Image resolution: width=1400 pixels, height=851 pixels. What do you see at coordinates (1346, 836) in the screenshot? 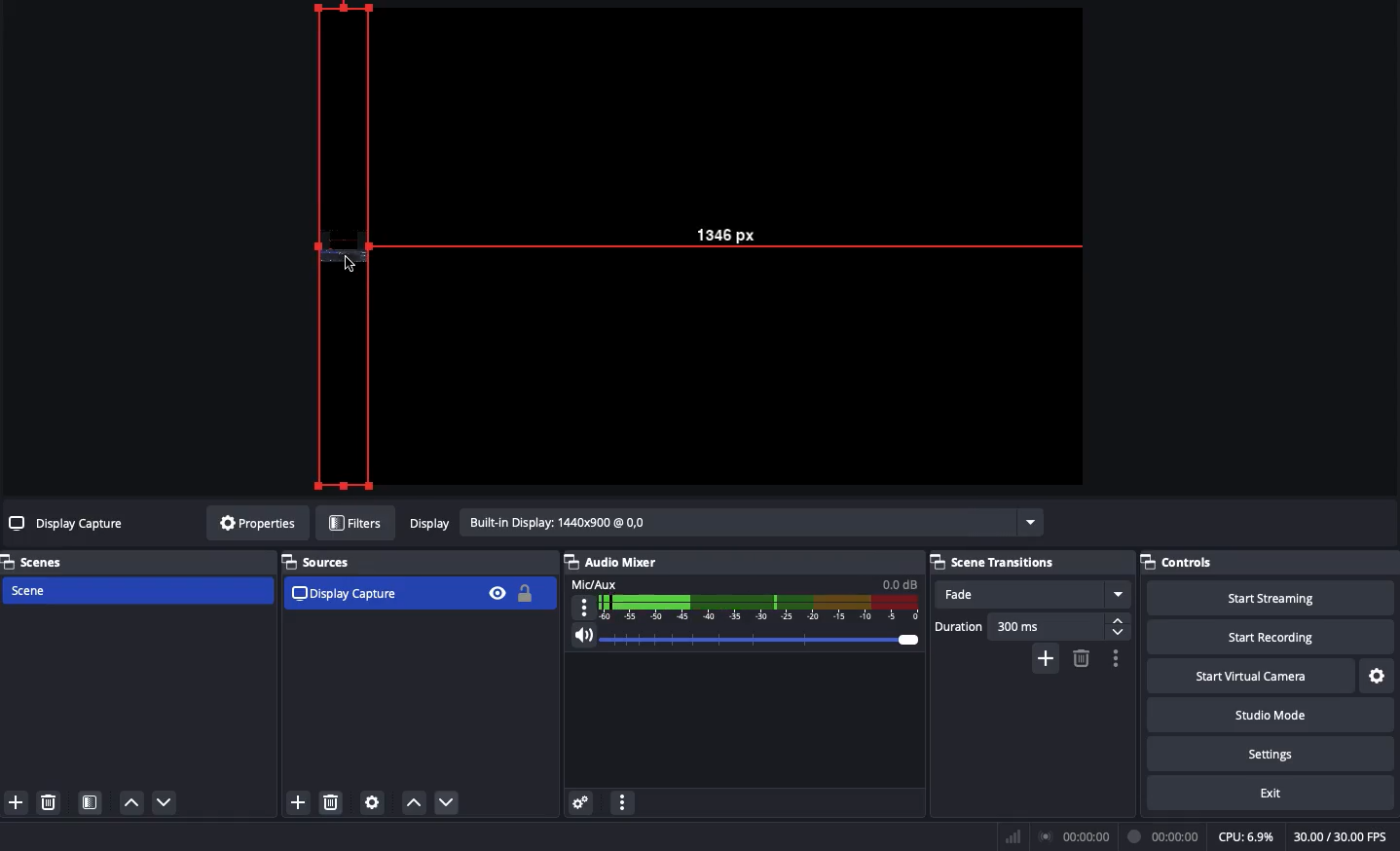
I see `FPS` at bounding box center [1346, 836].